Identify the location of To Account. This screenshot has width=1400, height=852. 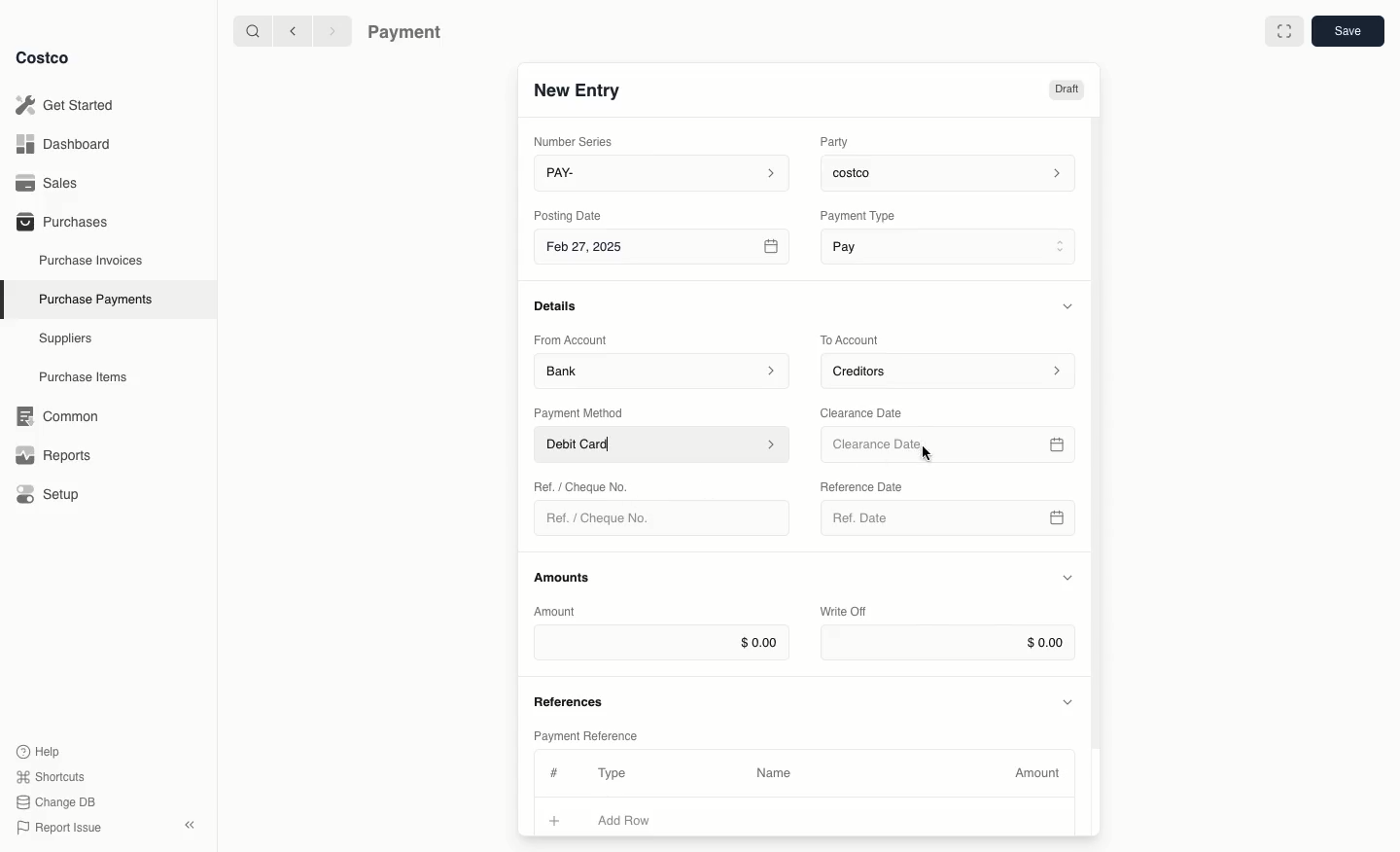
(852, 339).